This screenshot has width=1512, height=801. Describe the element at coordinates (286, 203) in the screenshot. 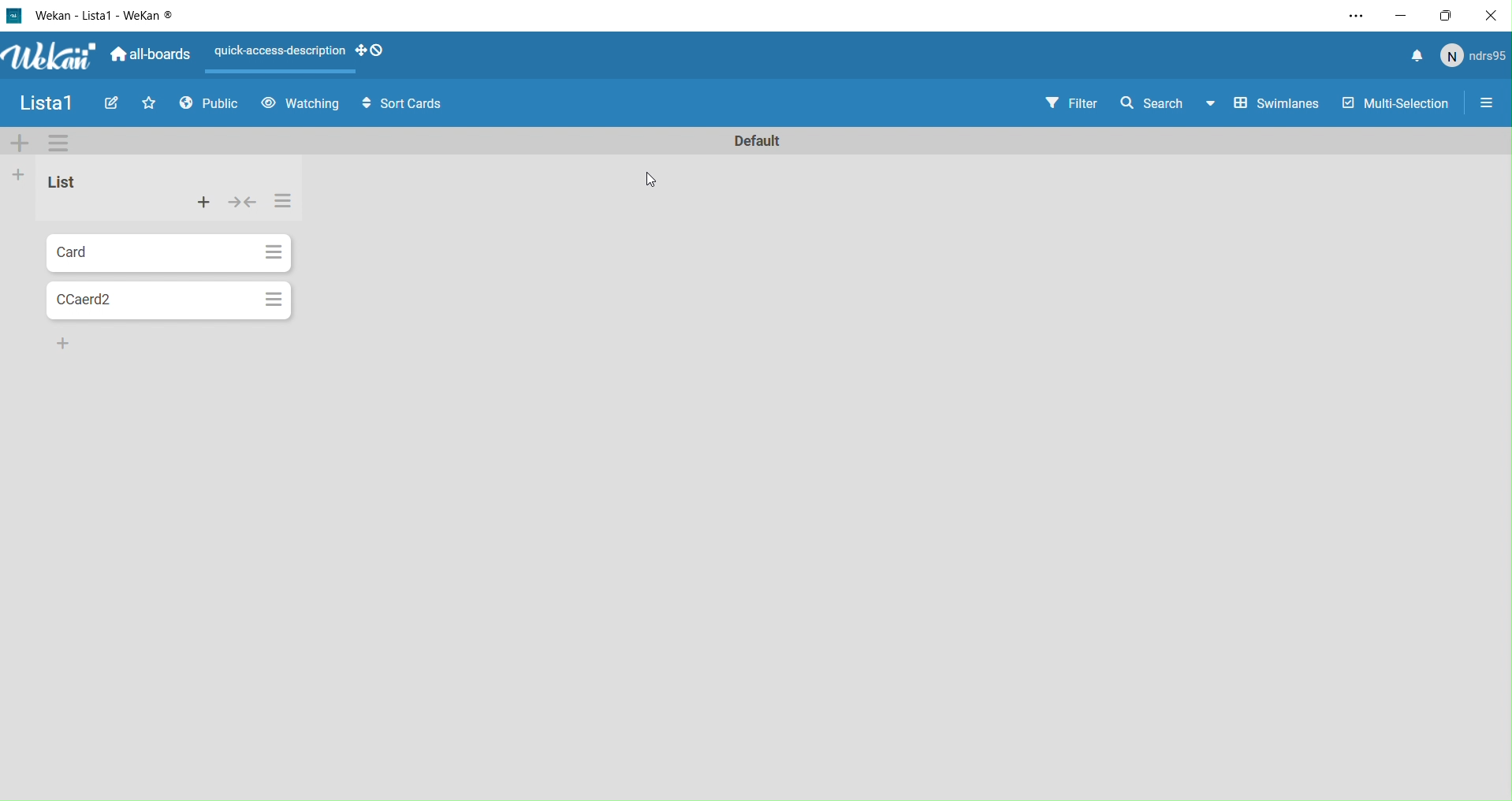

I see `Options` at that location.